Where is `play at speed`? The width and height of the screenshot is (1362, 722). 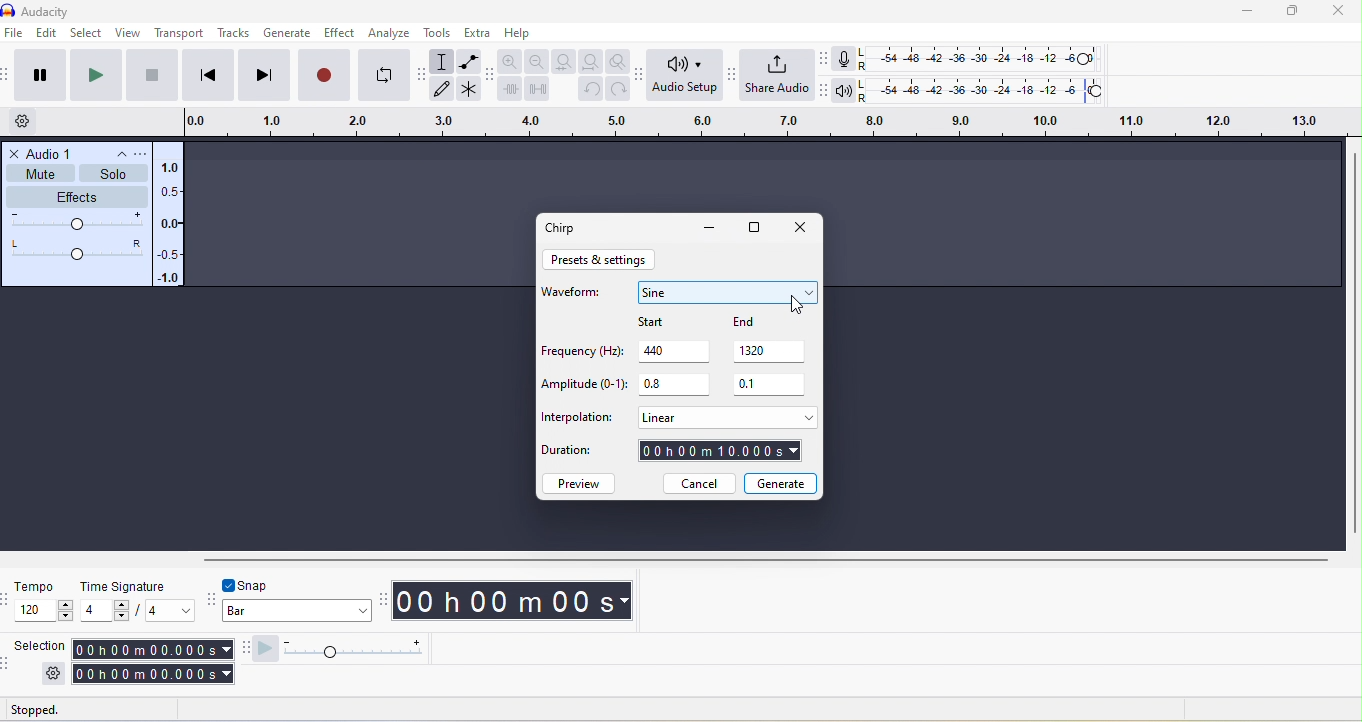 play at speed is located at coordinates (346, 649).